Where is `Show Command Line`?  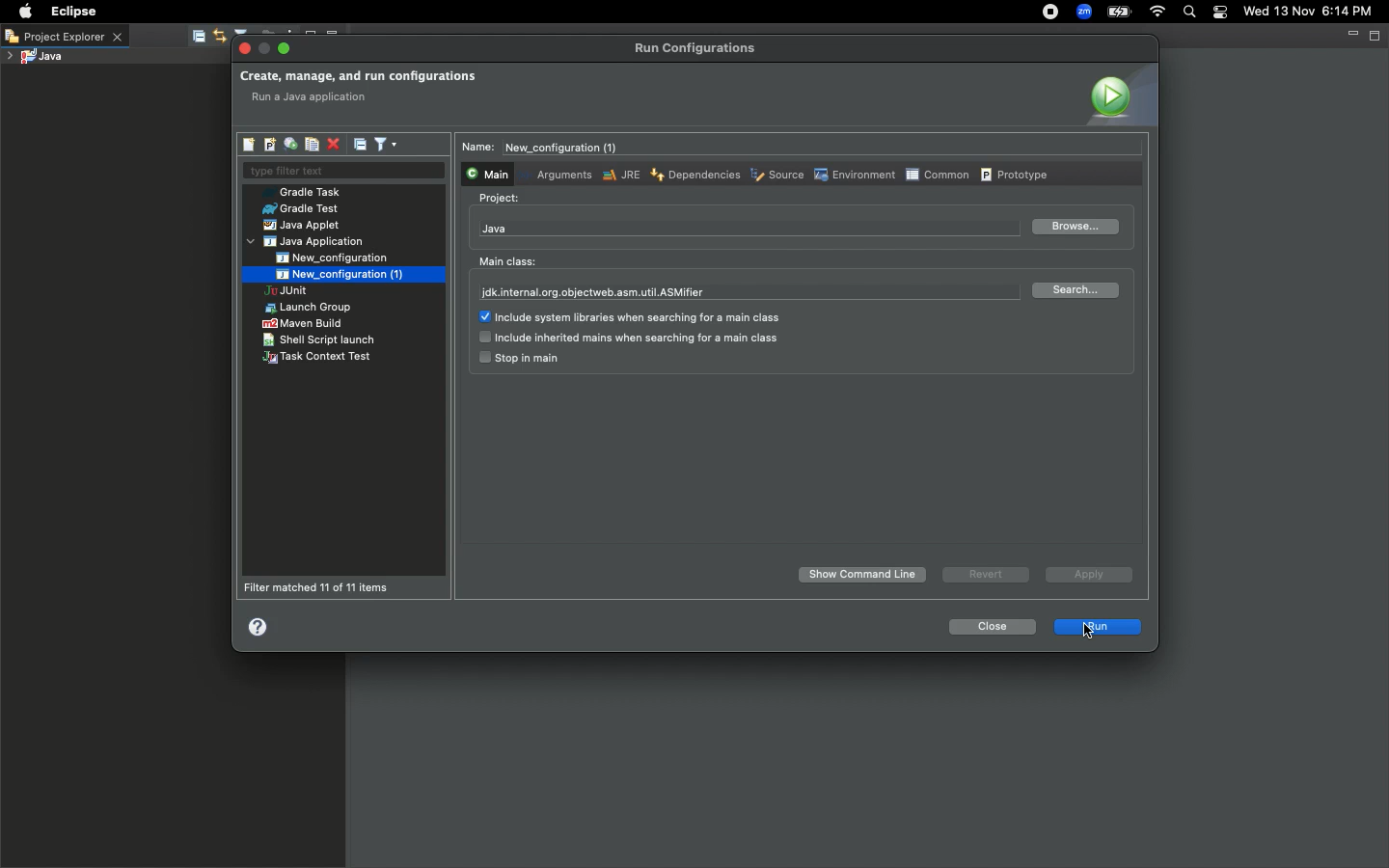
Show Command Line is located at coordinates (864, 575).